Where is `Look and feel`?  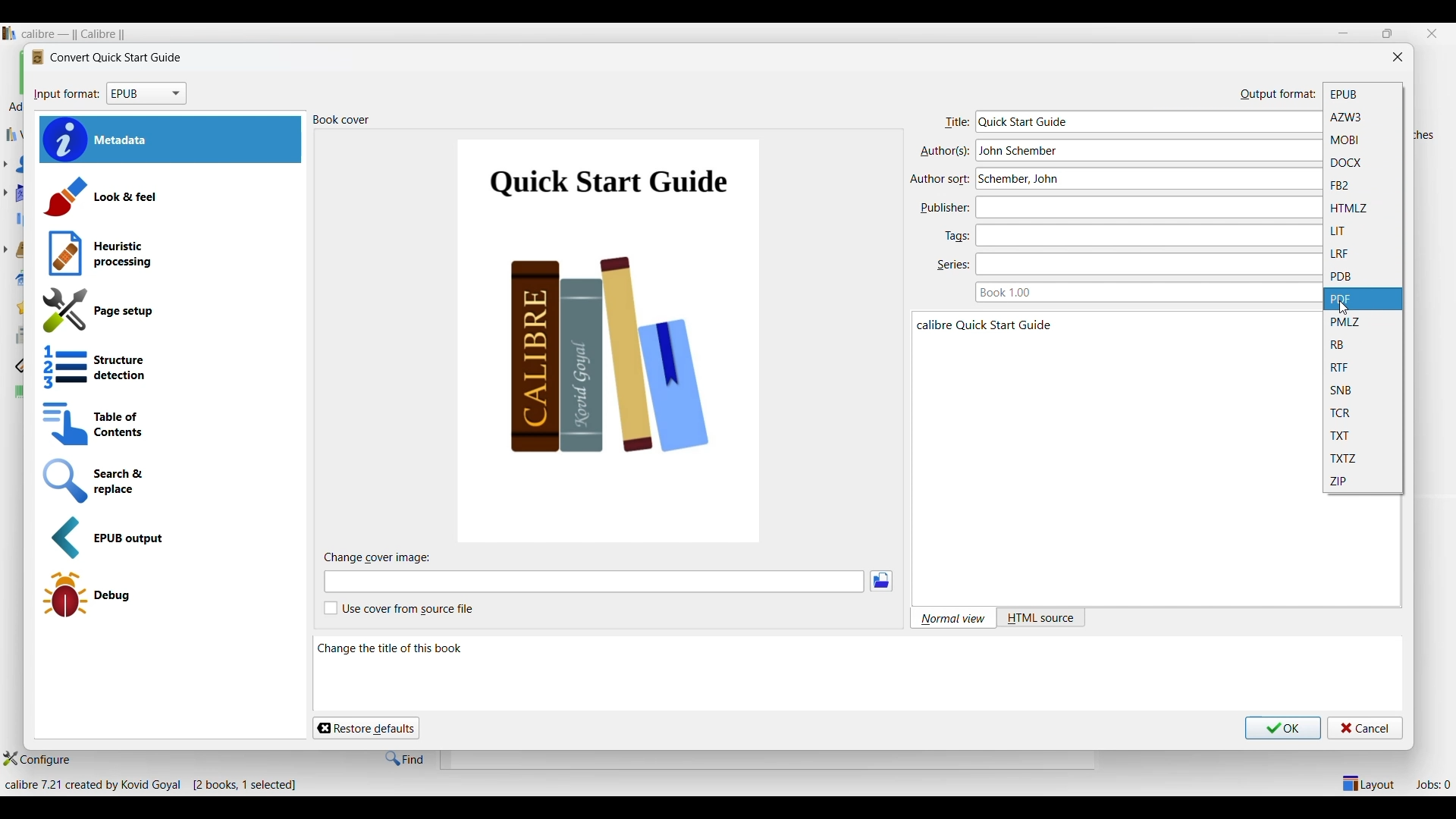 Look and feel is located at coordinates (171, 196).